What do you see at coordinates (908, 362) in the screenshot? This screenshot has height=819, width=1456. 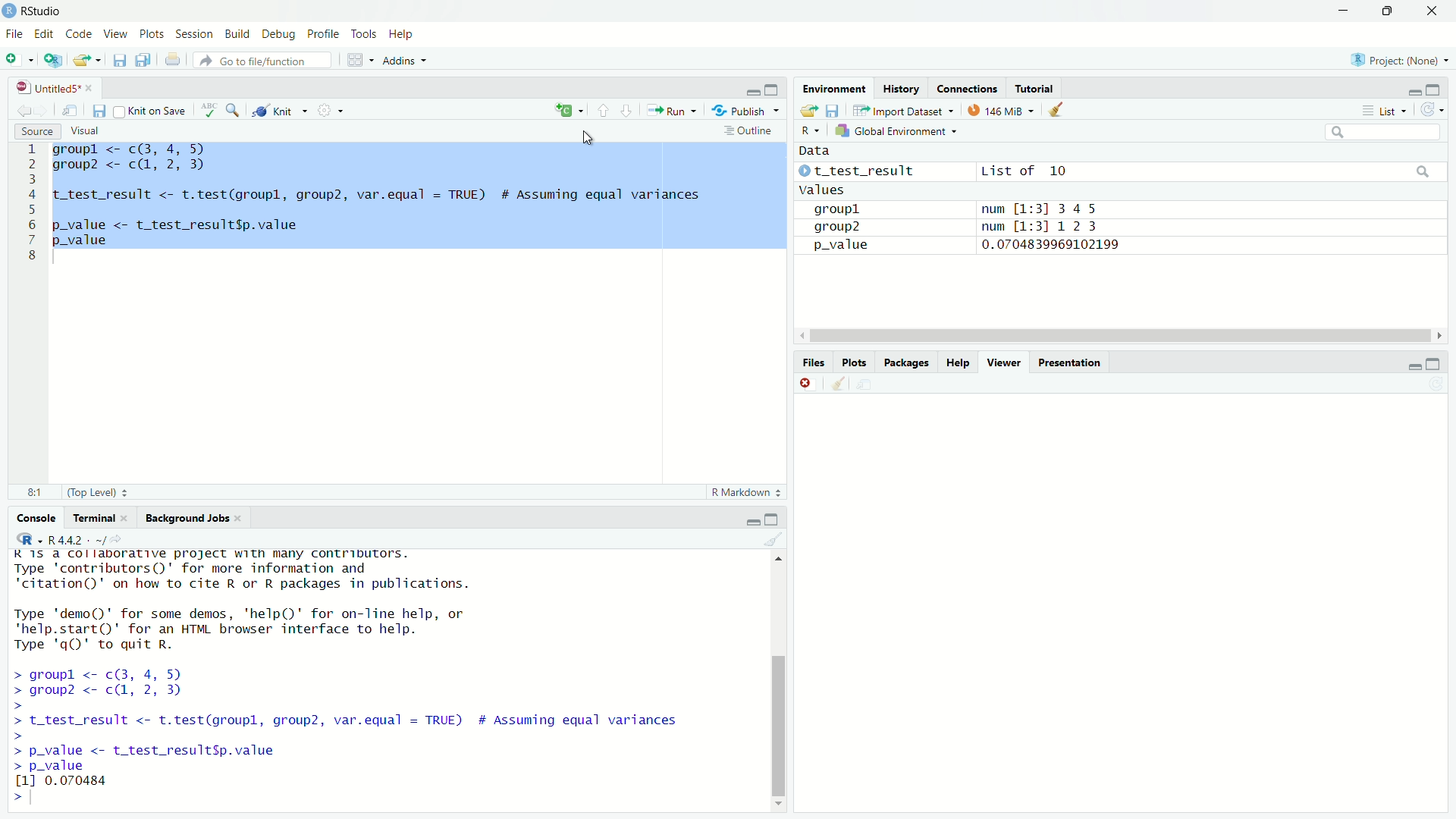 I see `Packages` at bounding box center [908, 362].